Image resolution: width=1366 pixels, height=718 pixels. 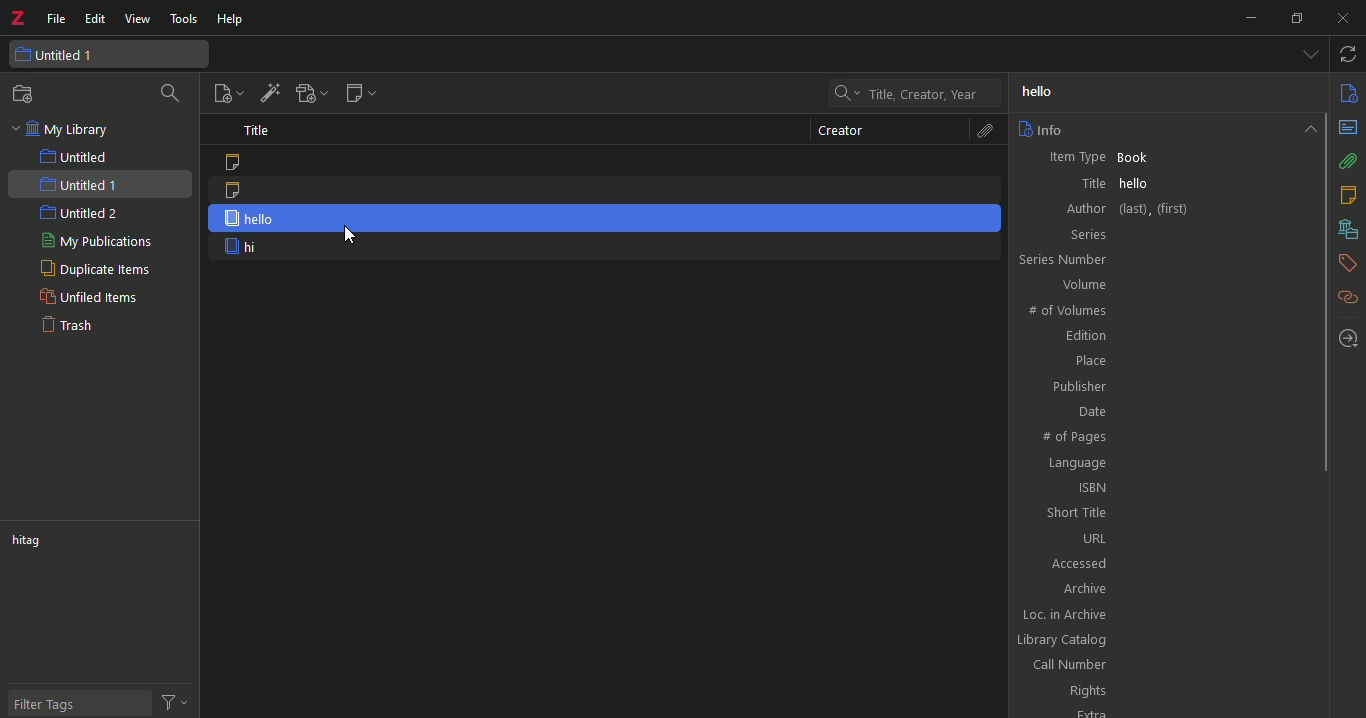 I want to click on z, so click(x=20, y=21).